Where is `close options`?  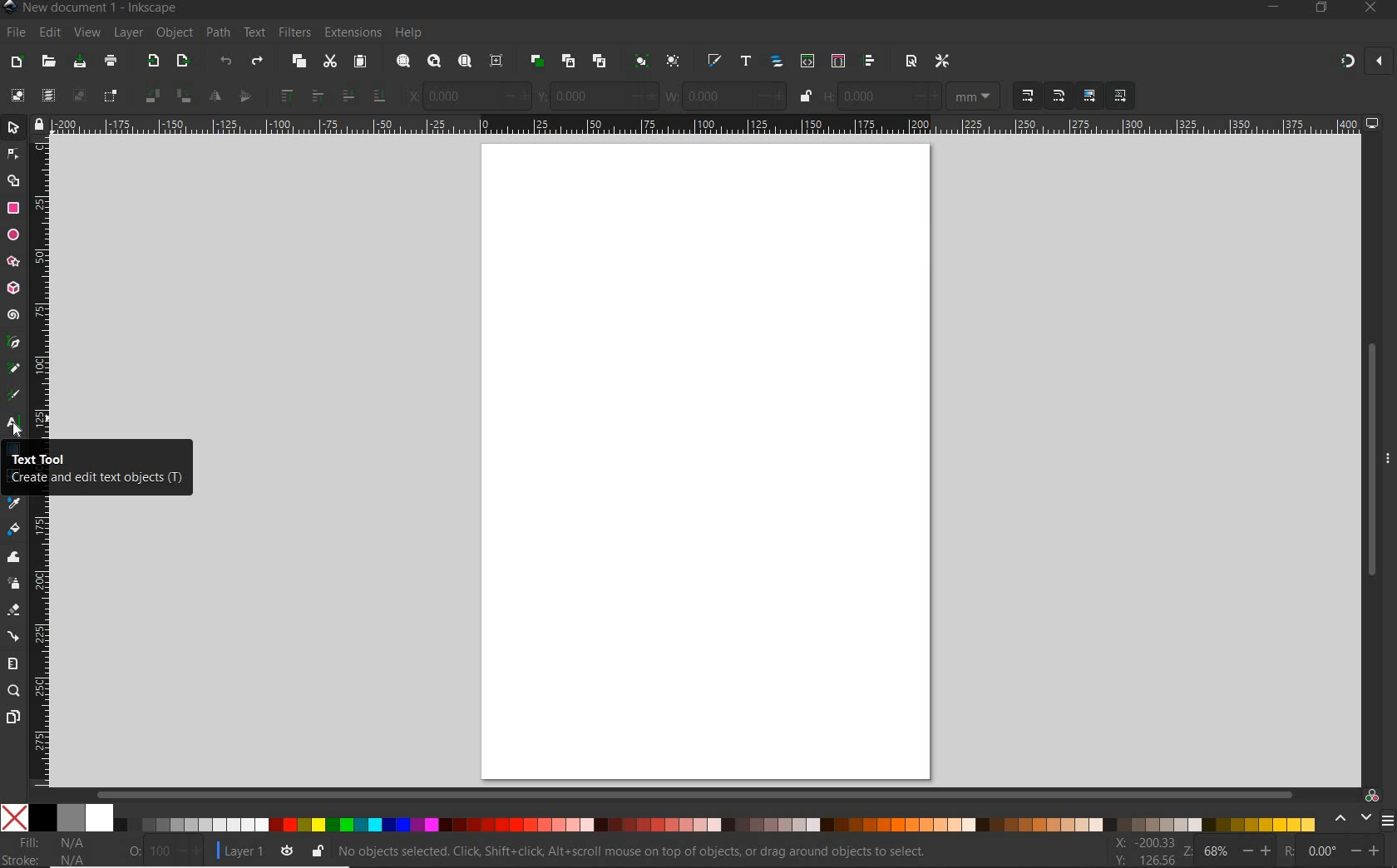 close options is located at coordinates (1379, 62).